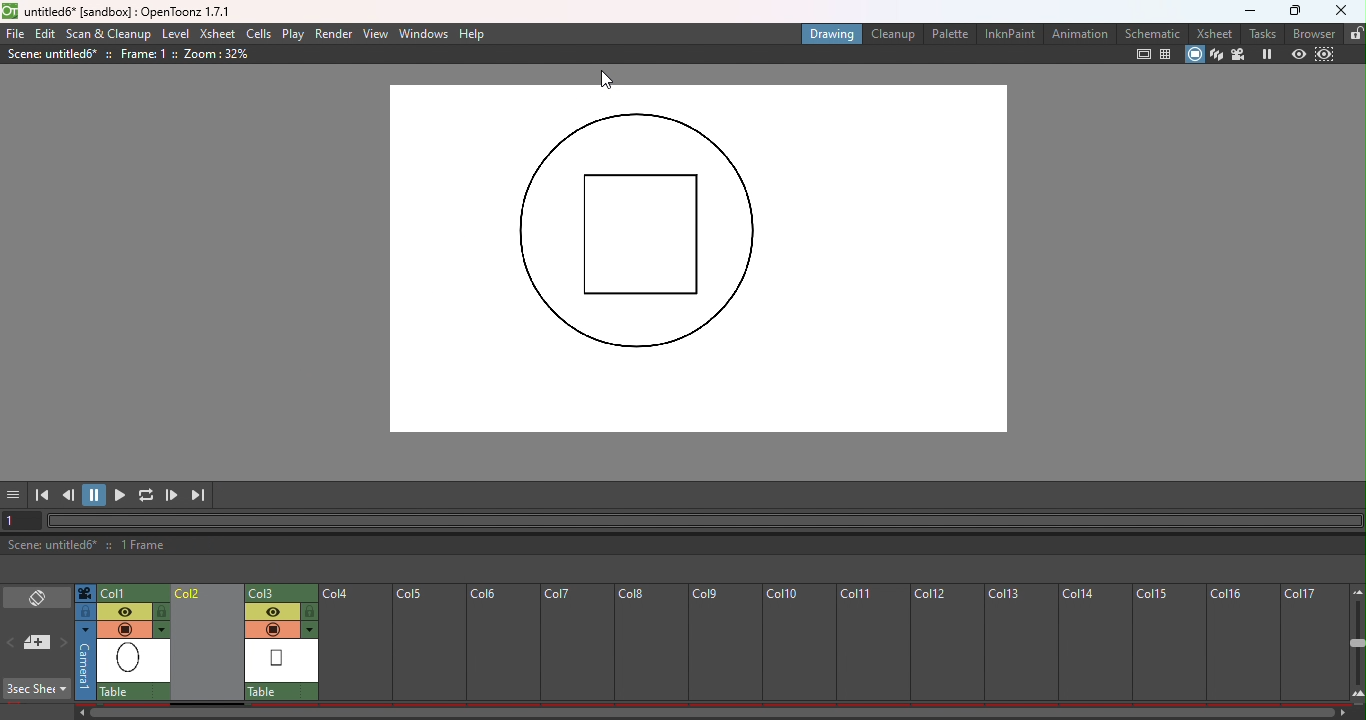 The image size is (1366, 720). Describe the element at coordinates (1010, 35) in the screenshot. I see `InknPaint` at that location.